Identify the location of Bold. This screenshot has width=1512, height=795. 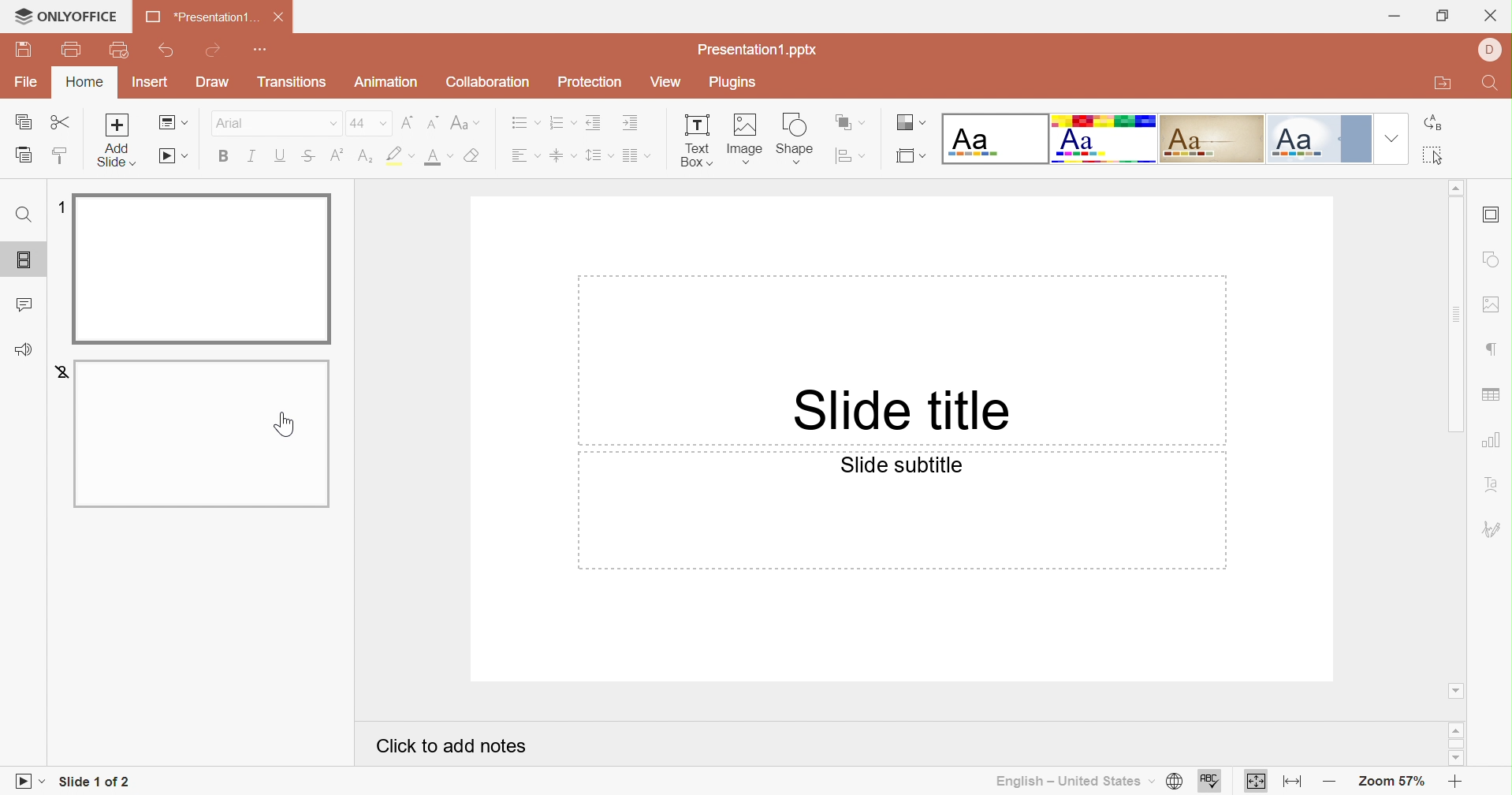
(226, 157).